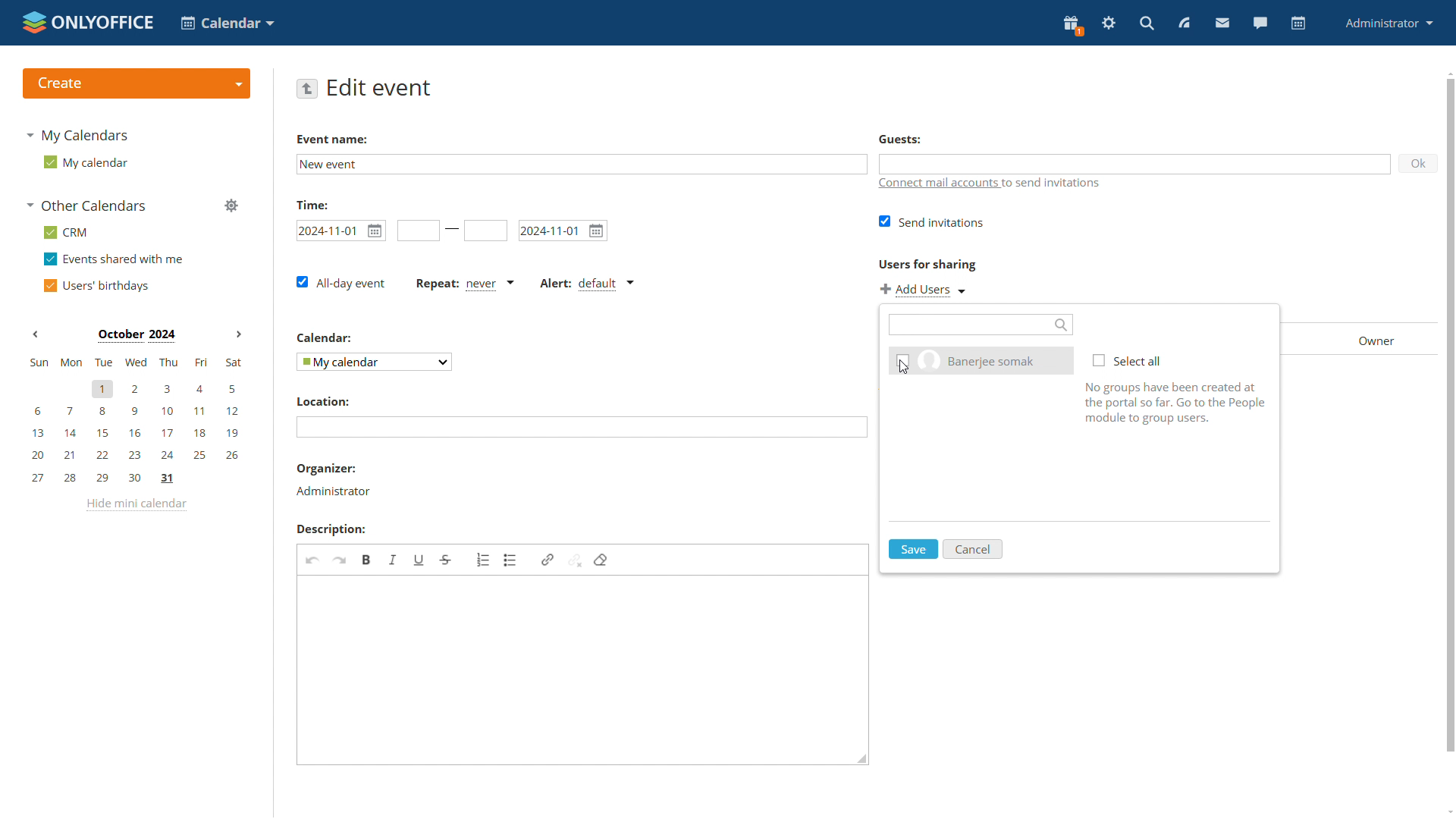 This screenshot has width=1456, height=819. Describe the element at coordinates (927, 264) in the screenshot. I see `Users for sharing` at that location.